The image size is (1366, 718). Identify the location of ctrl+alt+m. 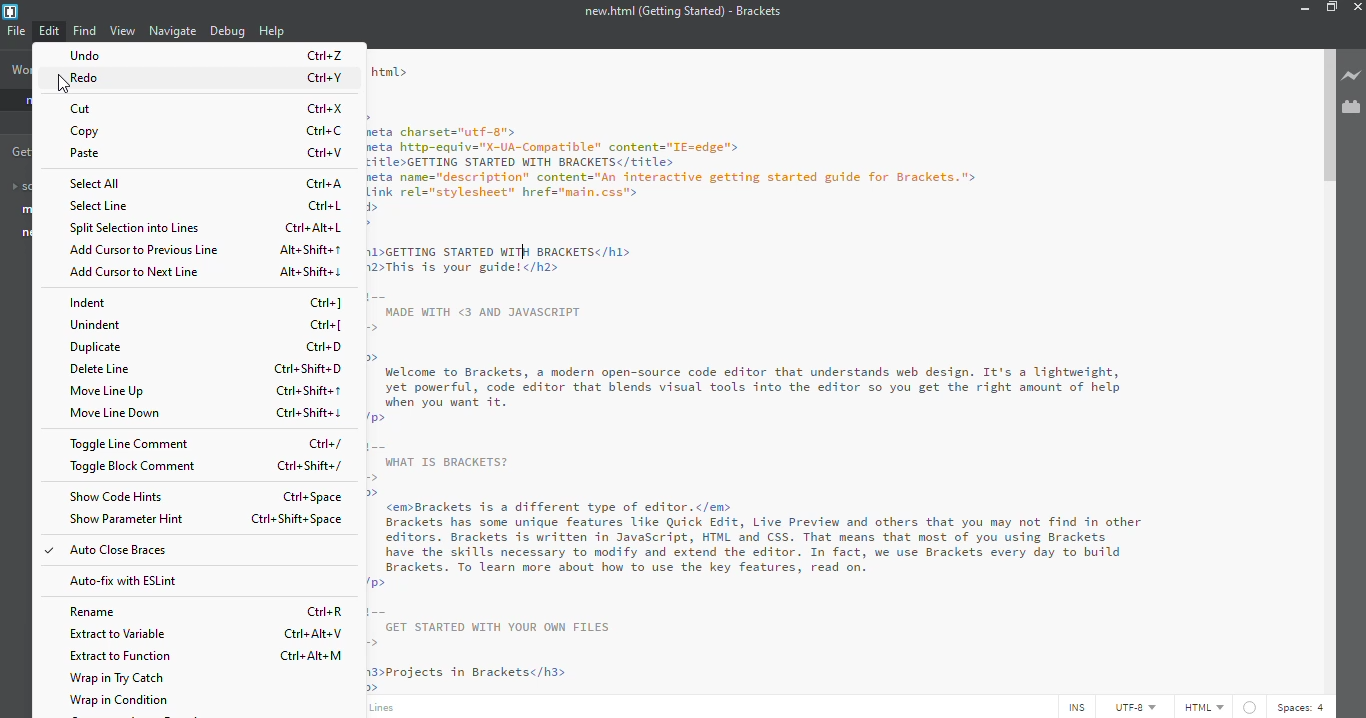
(313, 655).